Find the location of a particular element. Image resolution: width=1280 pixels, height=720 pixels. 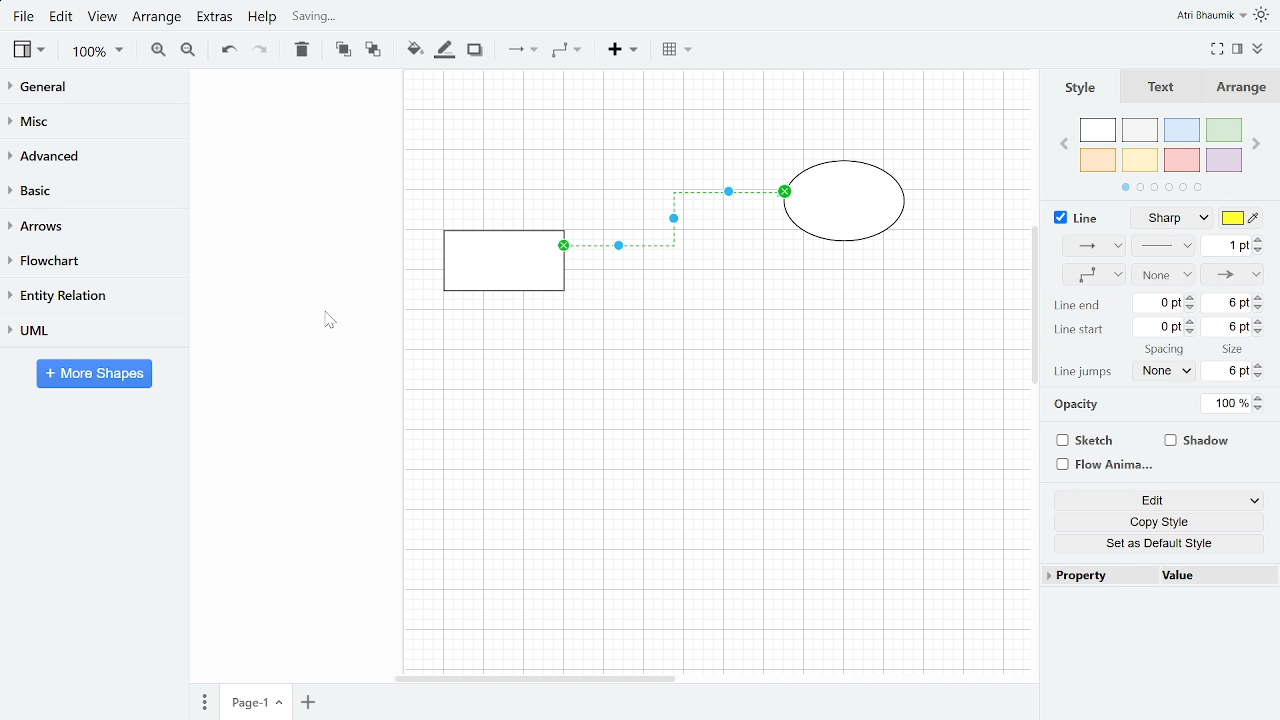

Connection is located at coordinates (1088, 246).